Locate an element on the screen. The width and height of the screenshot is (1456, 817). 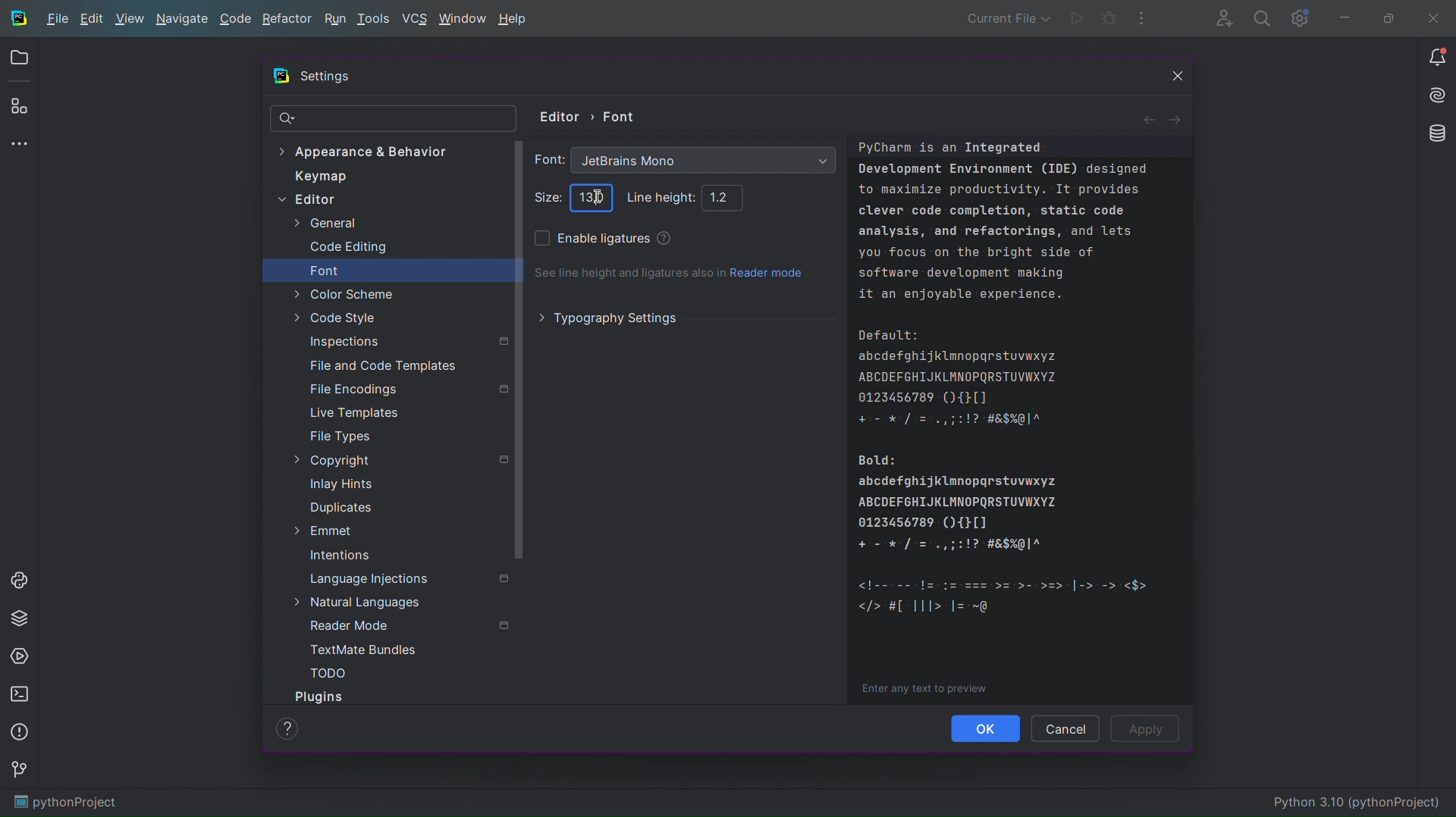
Keymap is located at coordinates (321, 177).